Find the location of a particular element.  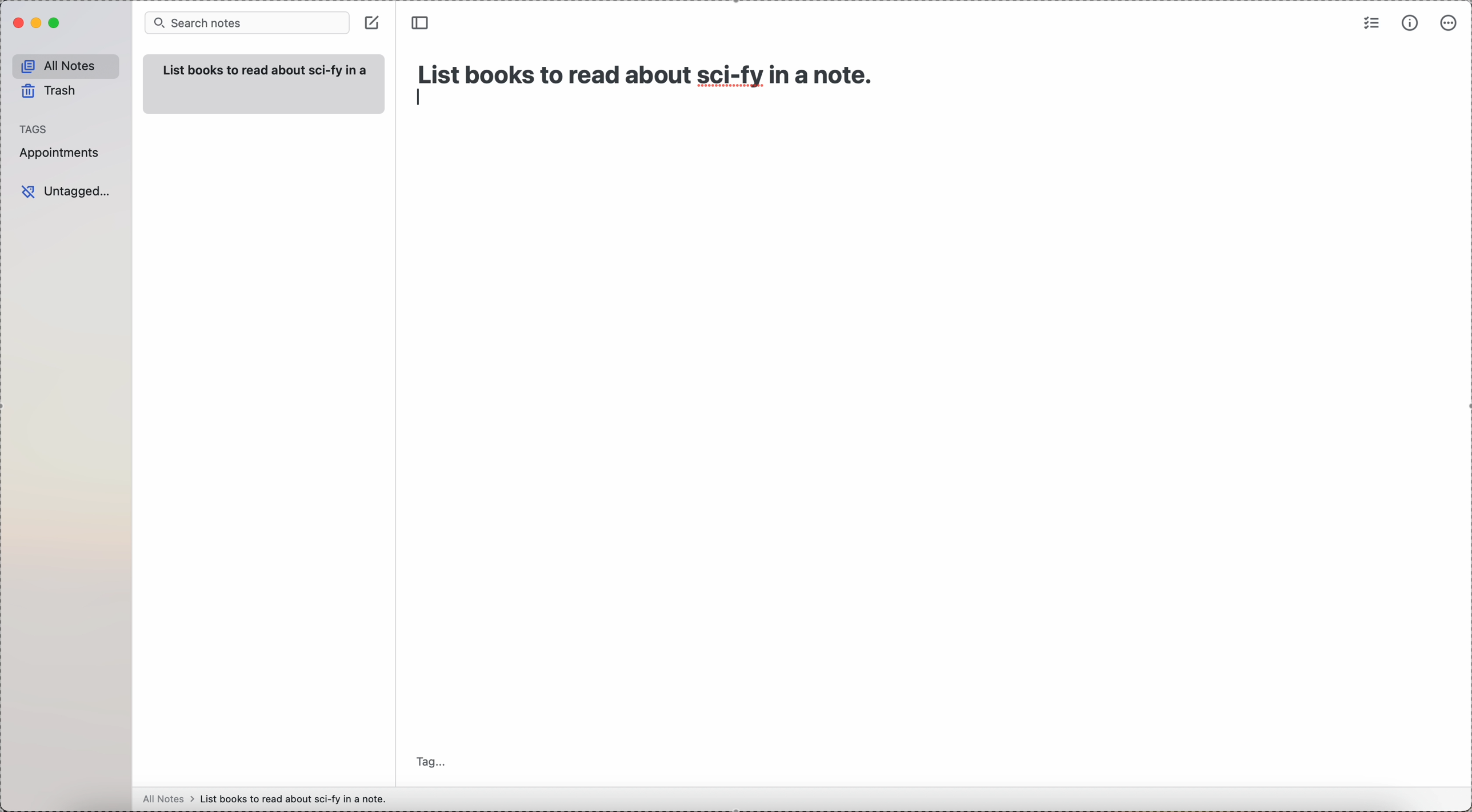

maximize is located at coordinates (54, 25).